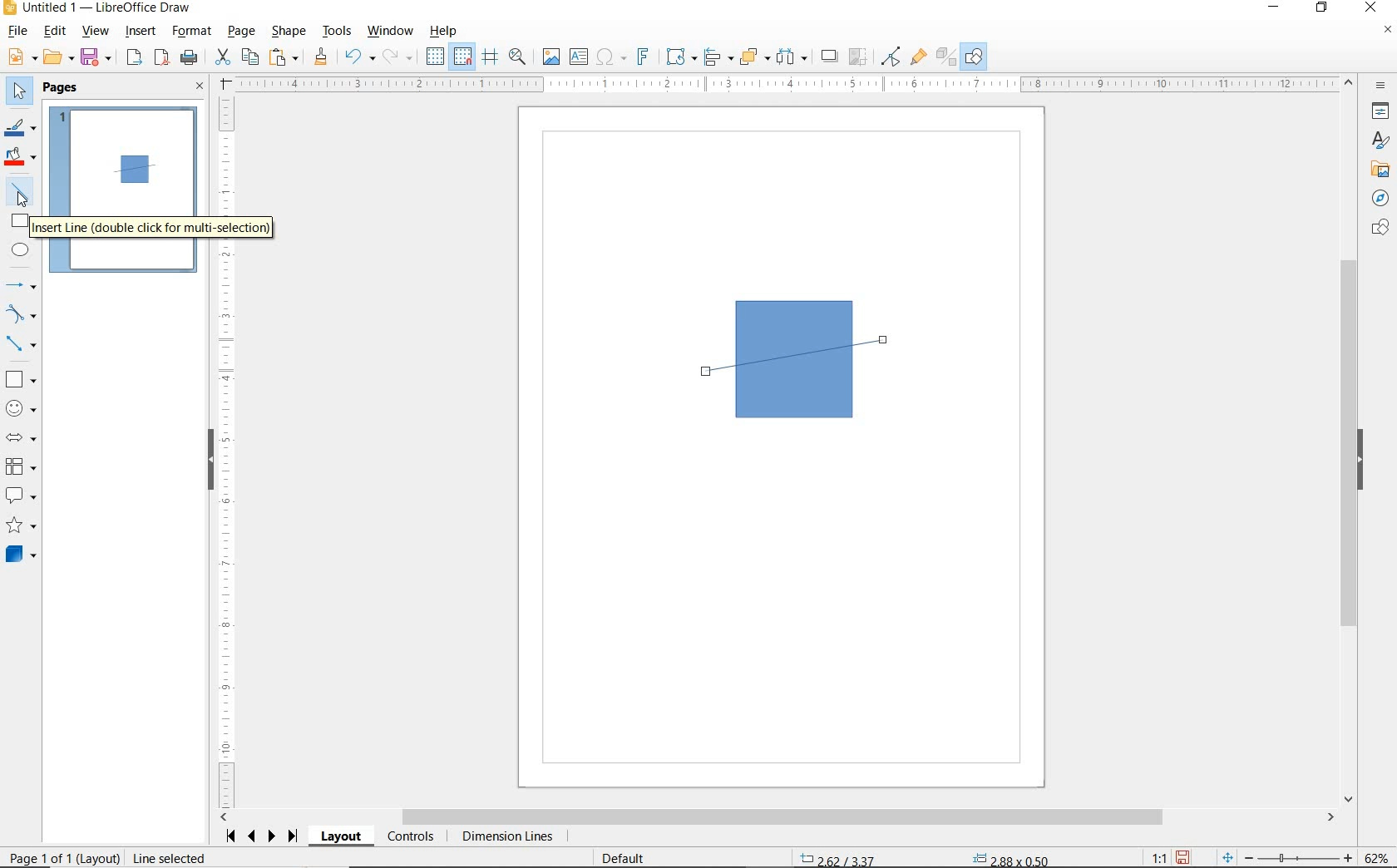  Describe the element at coordinates (62, 89) in the screenshot. I see `PAGES` at that location.